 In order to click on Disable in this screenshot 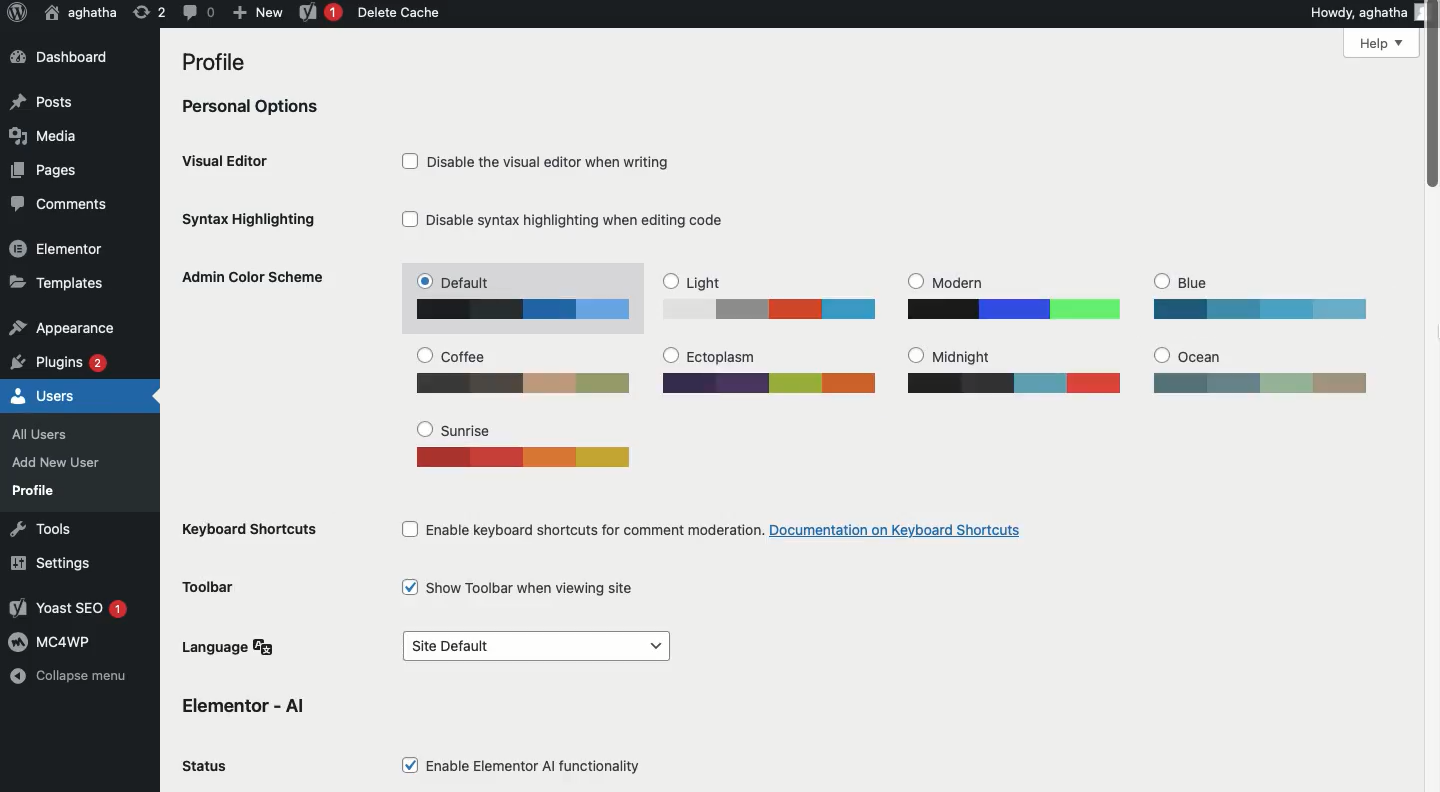, I will do `click(545, 166)`.